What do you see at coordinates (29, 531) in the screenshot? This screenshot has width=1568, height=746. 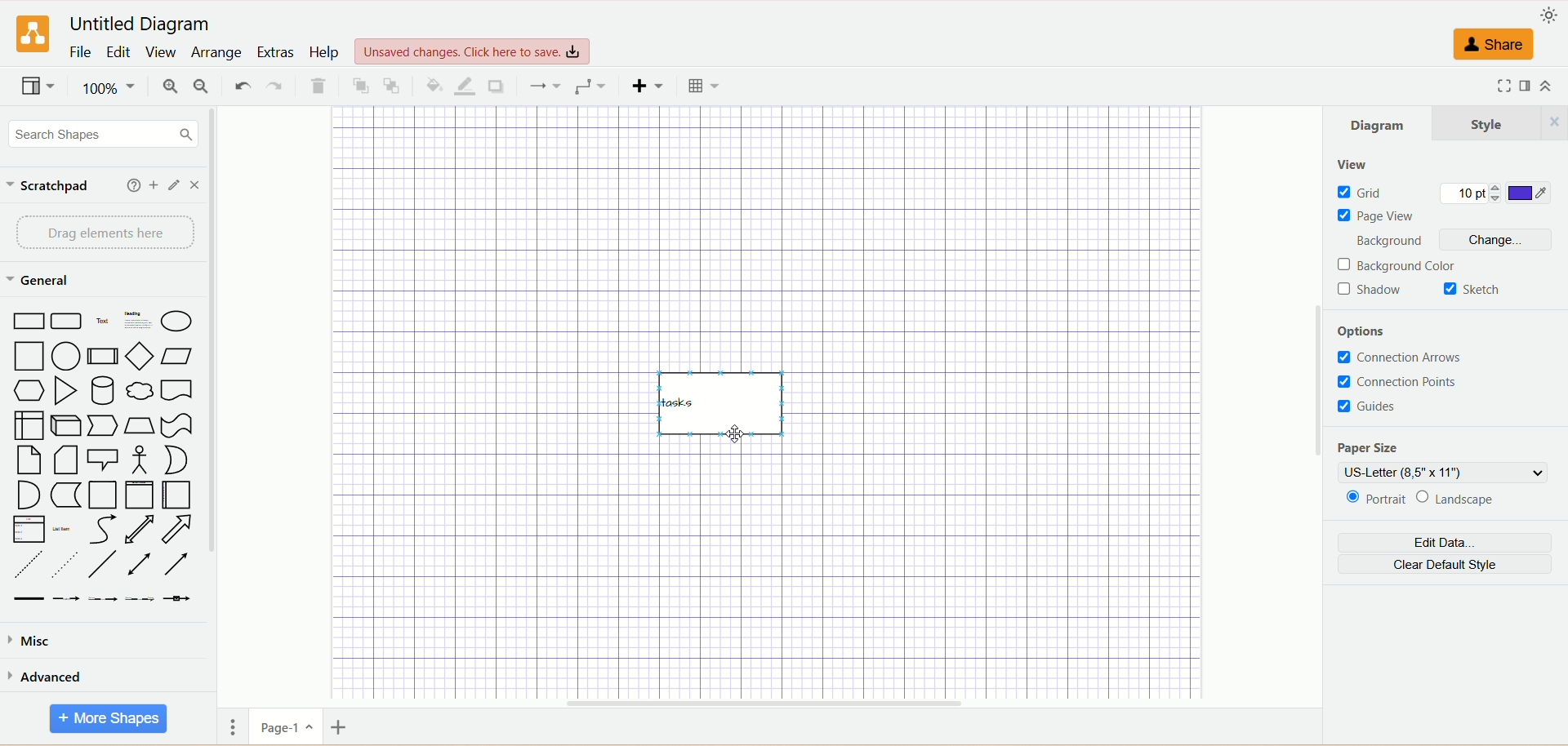 I see `List` at bounding box center [29, 531].